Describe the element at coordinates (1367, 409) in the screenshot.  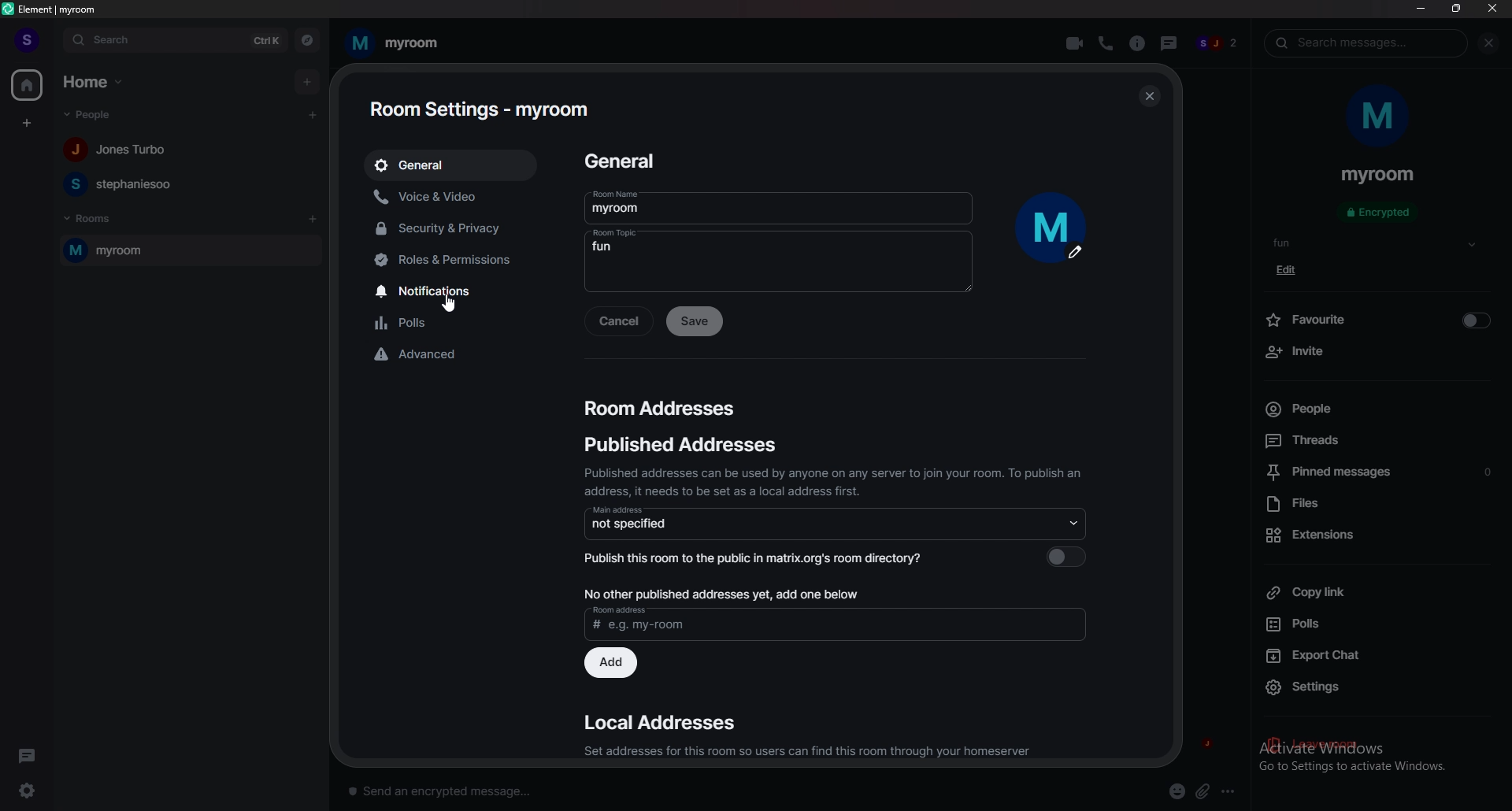
I see `people` at that location.